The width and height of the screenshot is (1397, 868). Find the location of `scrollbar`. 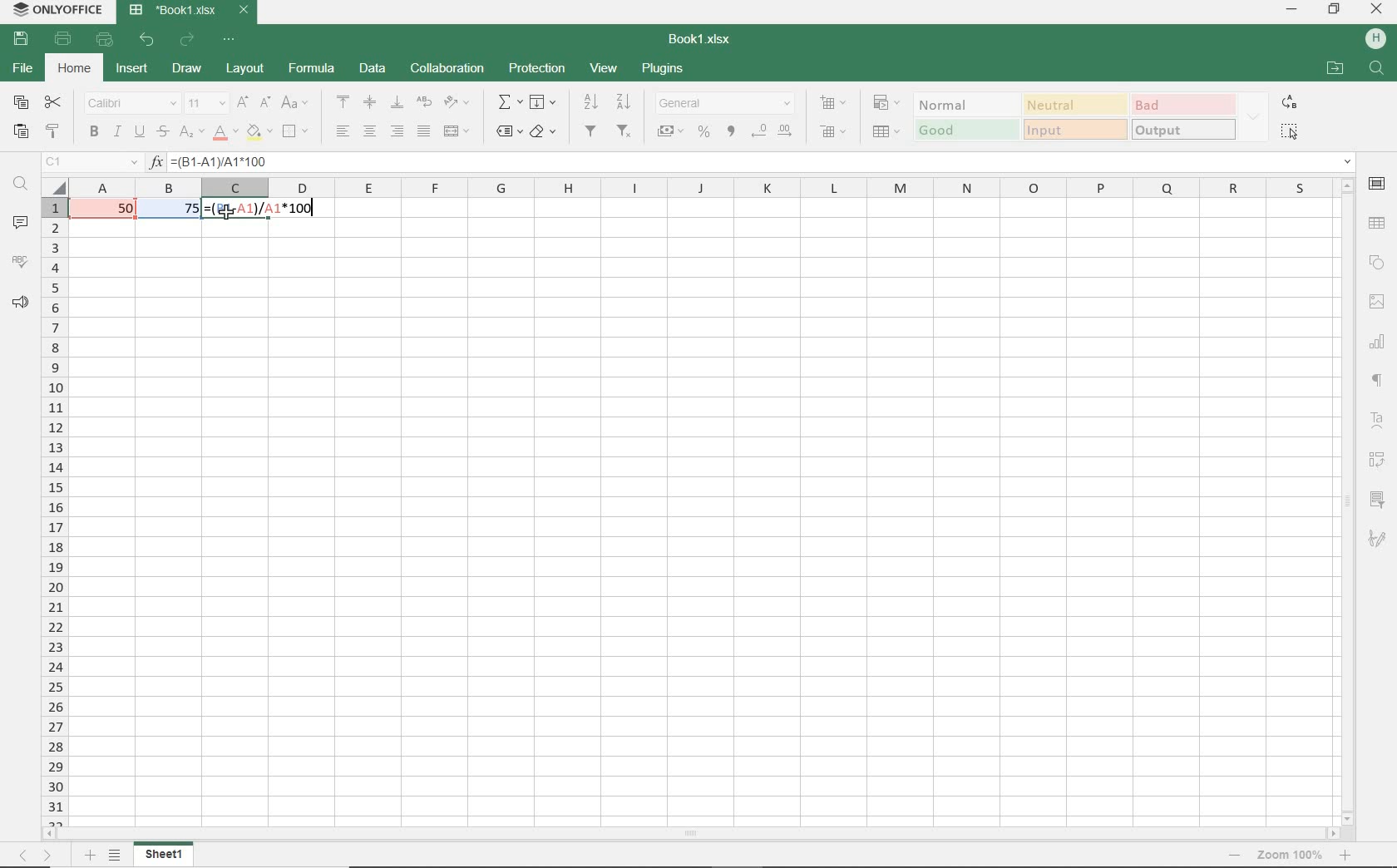

scrollbar is located at coordinates (694, 835).